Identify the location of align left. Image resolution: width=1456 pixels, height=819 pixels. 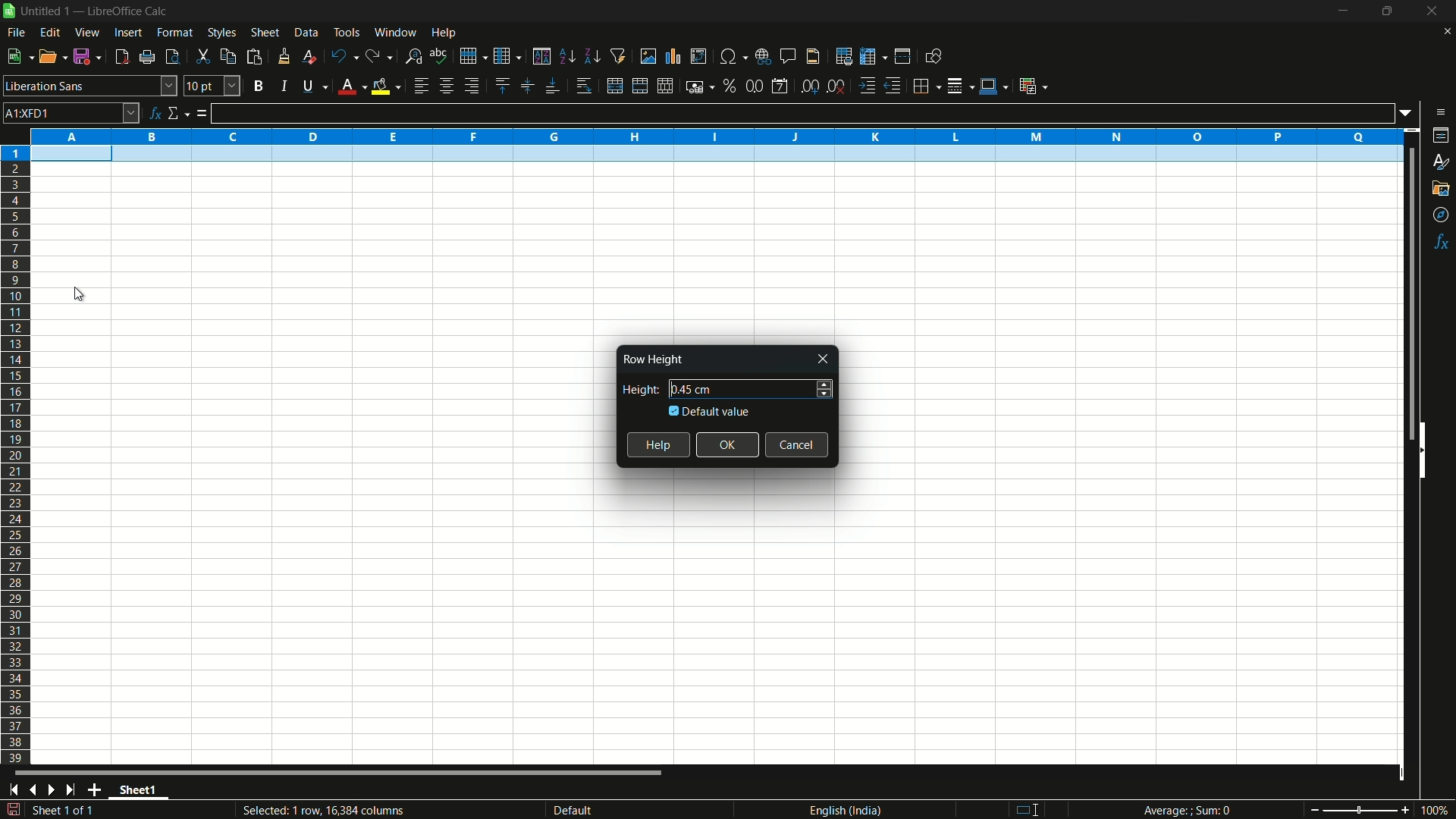
(420, 86).